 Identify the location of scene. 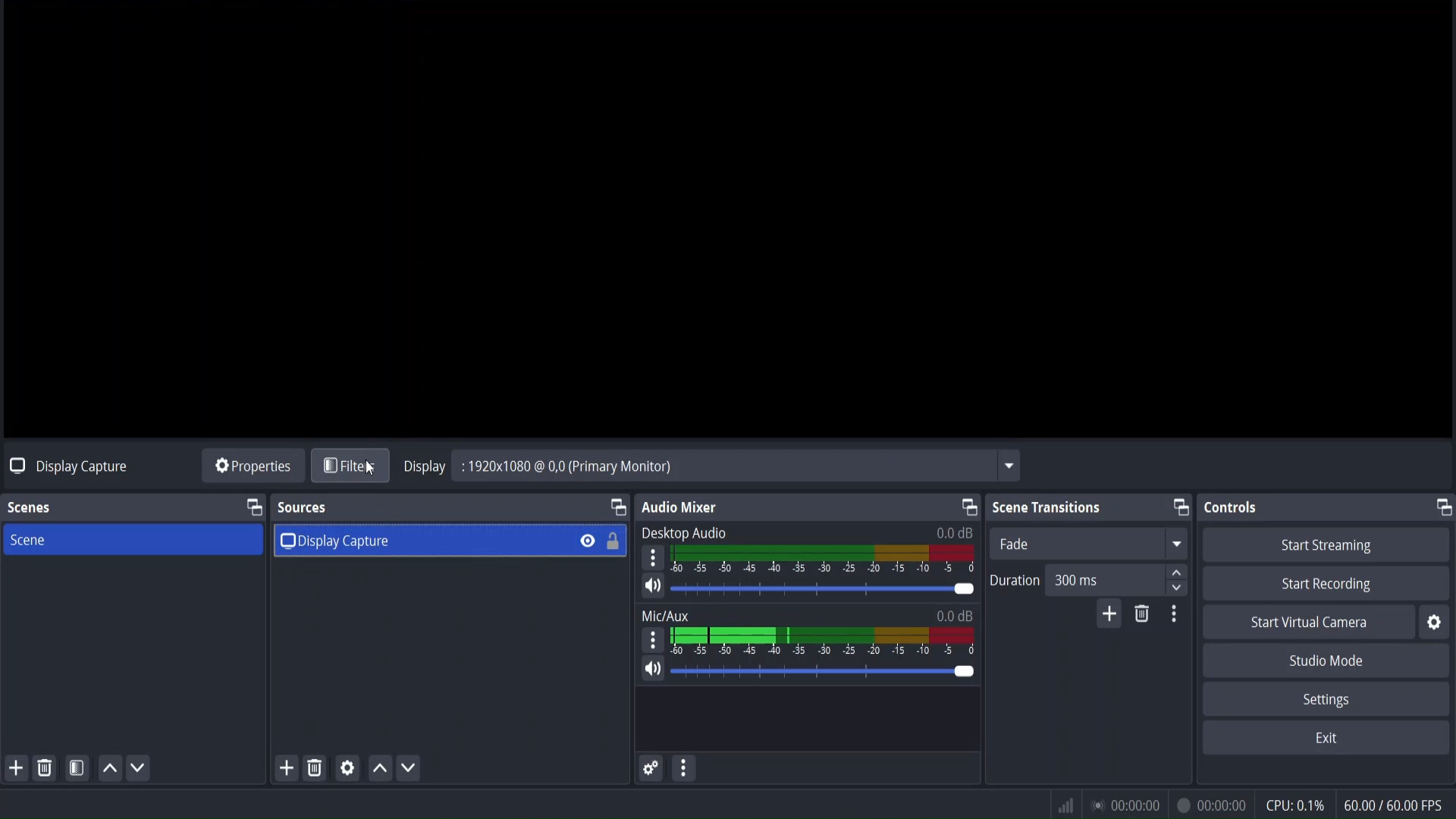
(28, 541).